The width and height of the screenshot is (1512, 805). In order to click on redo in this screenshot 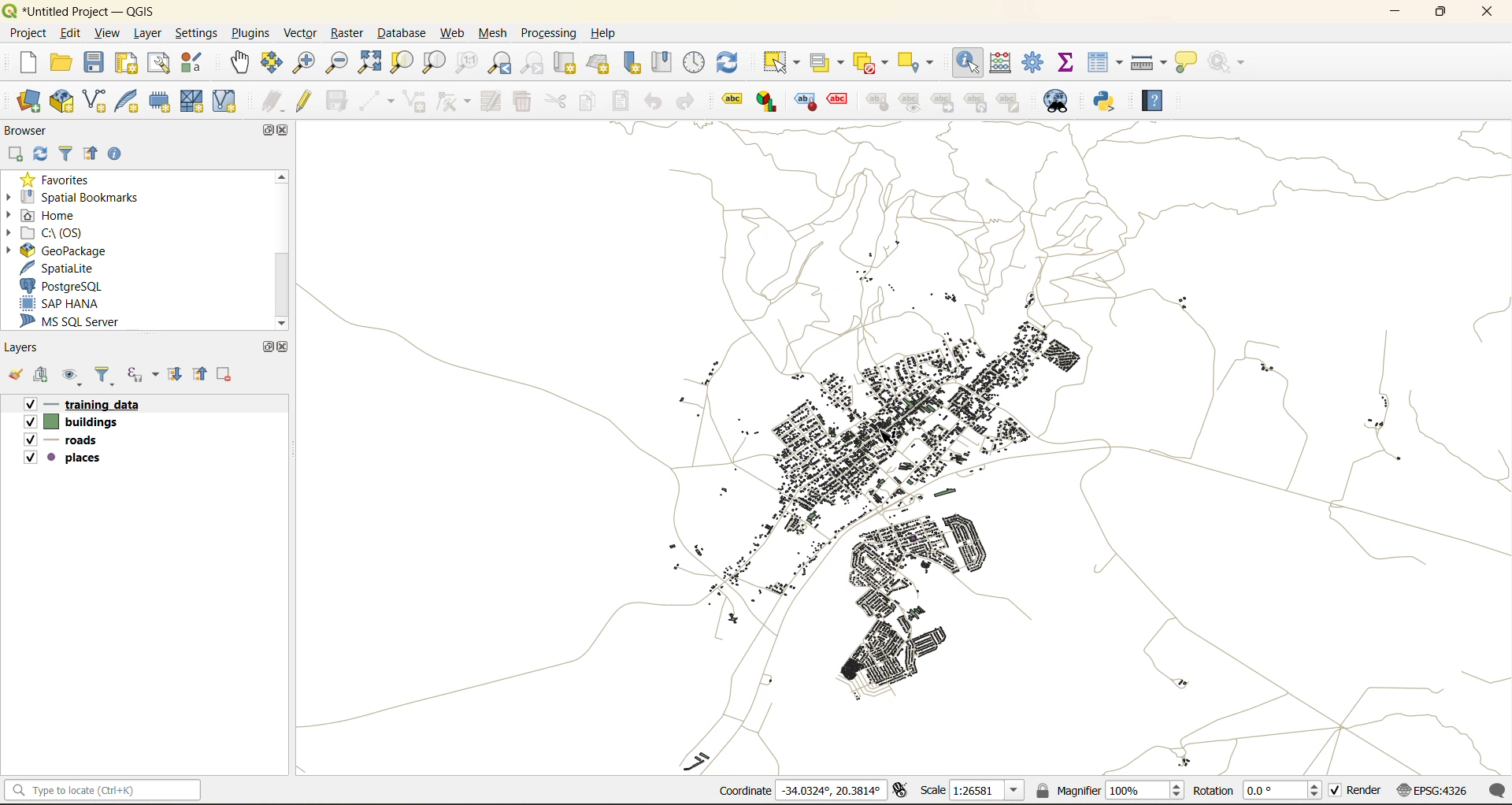, I will do `click(686, 102)`.